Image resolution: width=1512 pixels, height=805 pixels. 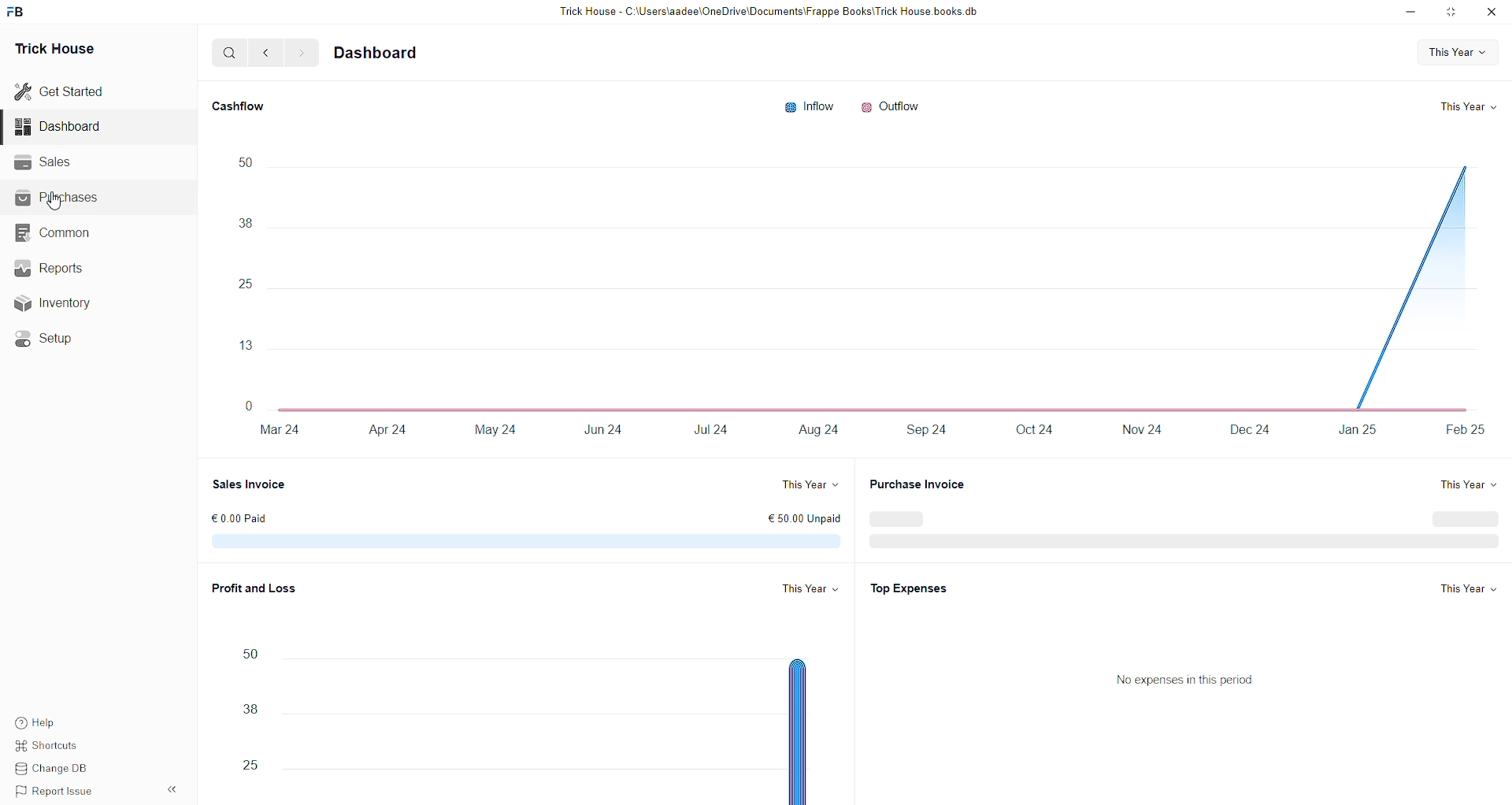 What do you see at coordinates (54, 202) in the screenshot?
I see `cursor` at bounding box center [54, 202].